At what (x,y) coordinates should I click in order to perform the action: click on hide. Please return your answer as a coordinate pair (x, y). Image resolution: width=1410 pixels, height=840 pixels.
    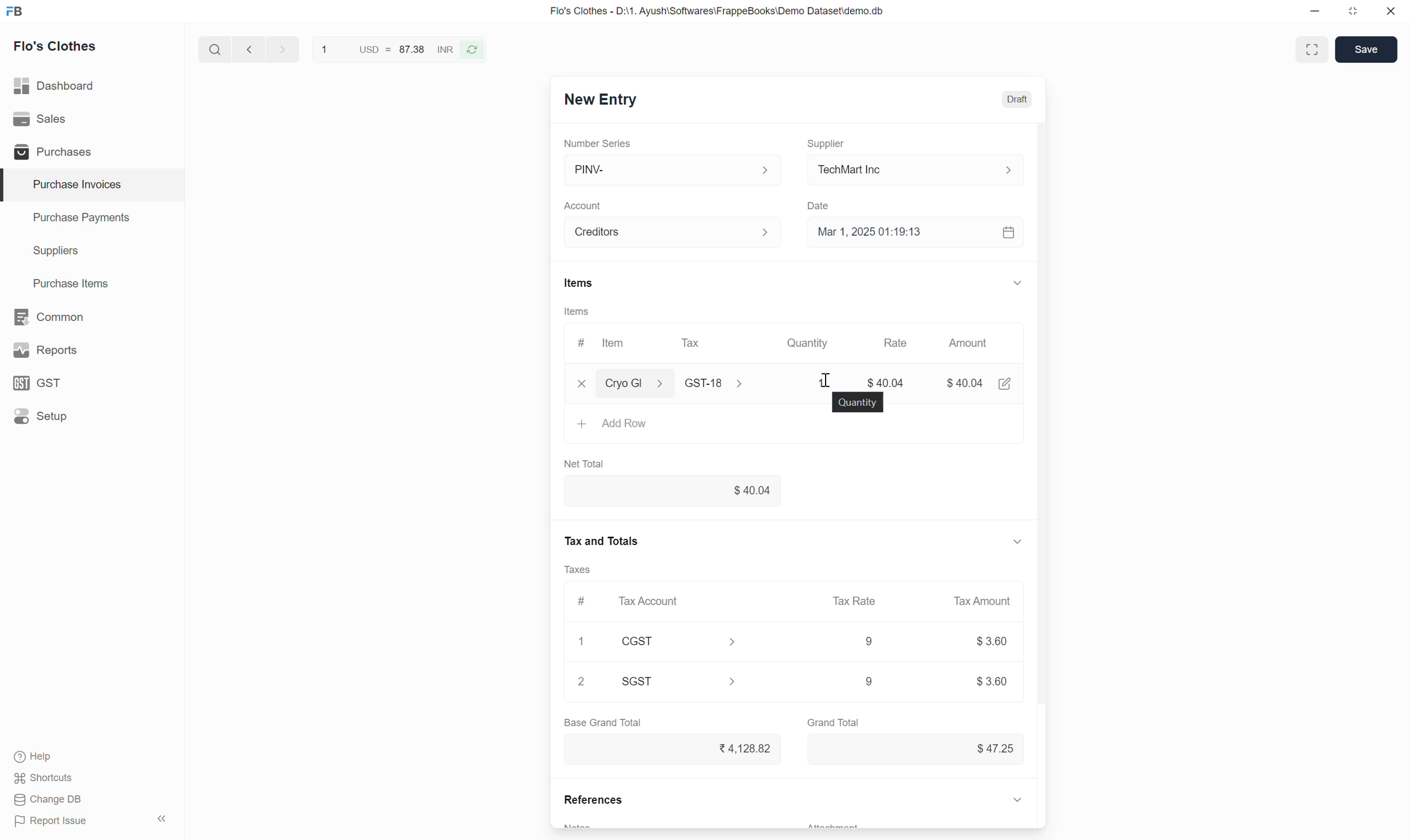
    Looking at the image, I should click on (160, 817).